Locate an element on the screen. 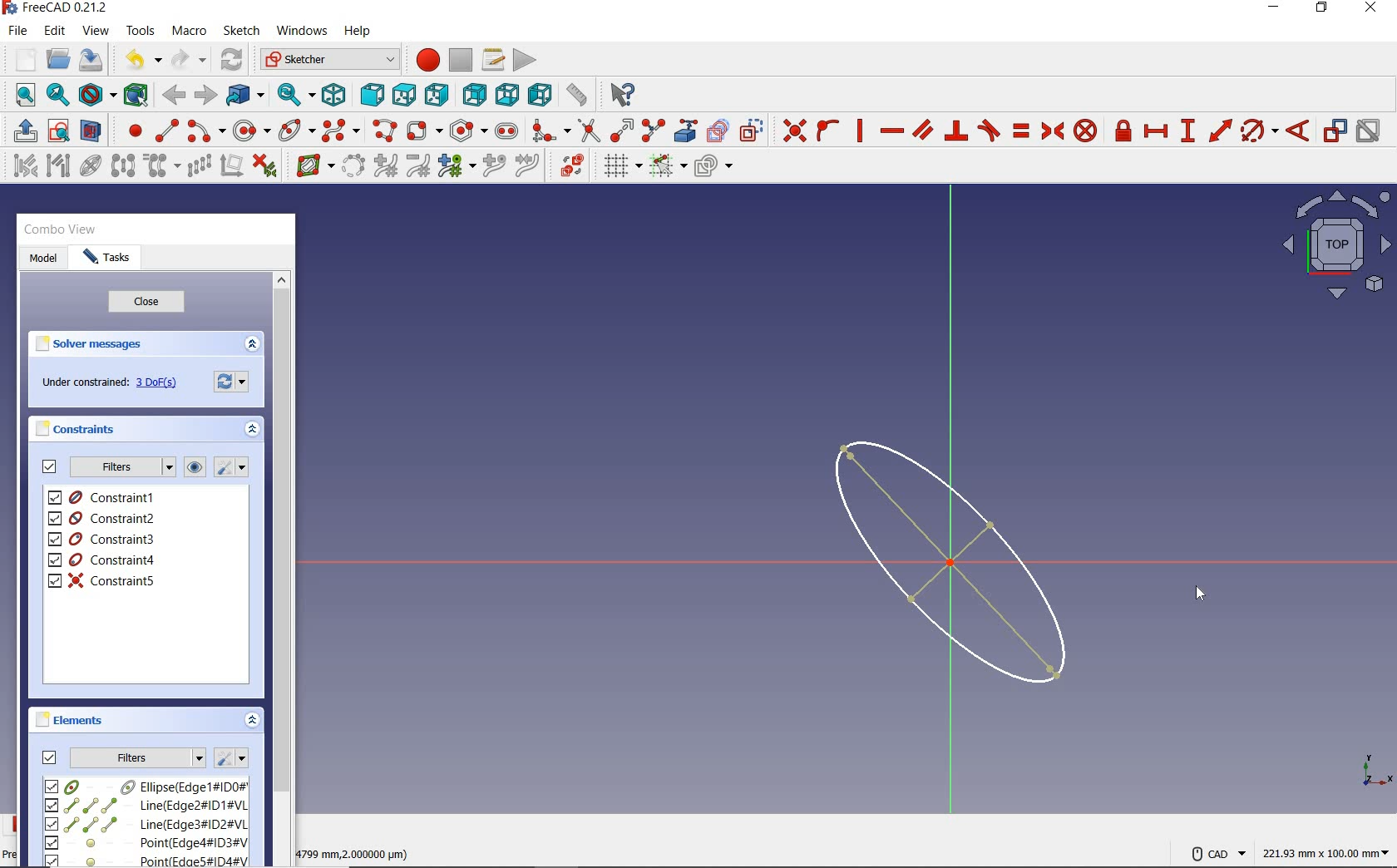 The image size is (1397, 868). decrease B-Spline degree is located at coordinates (417, 165).